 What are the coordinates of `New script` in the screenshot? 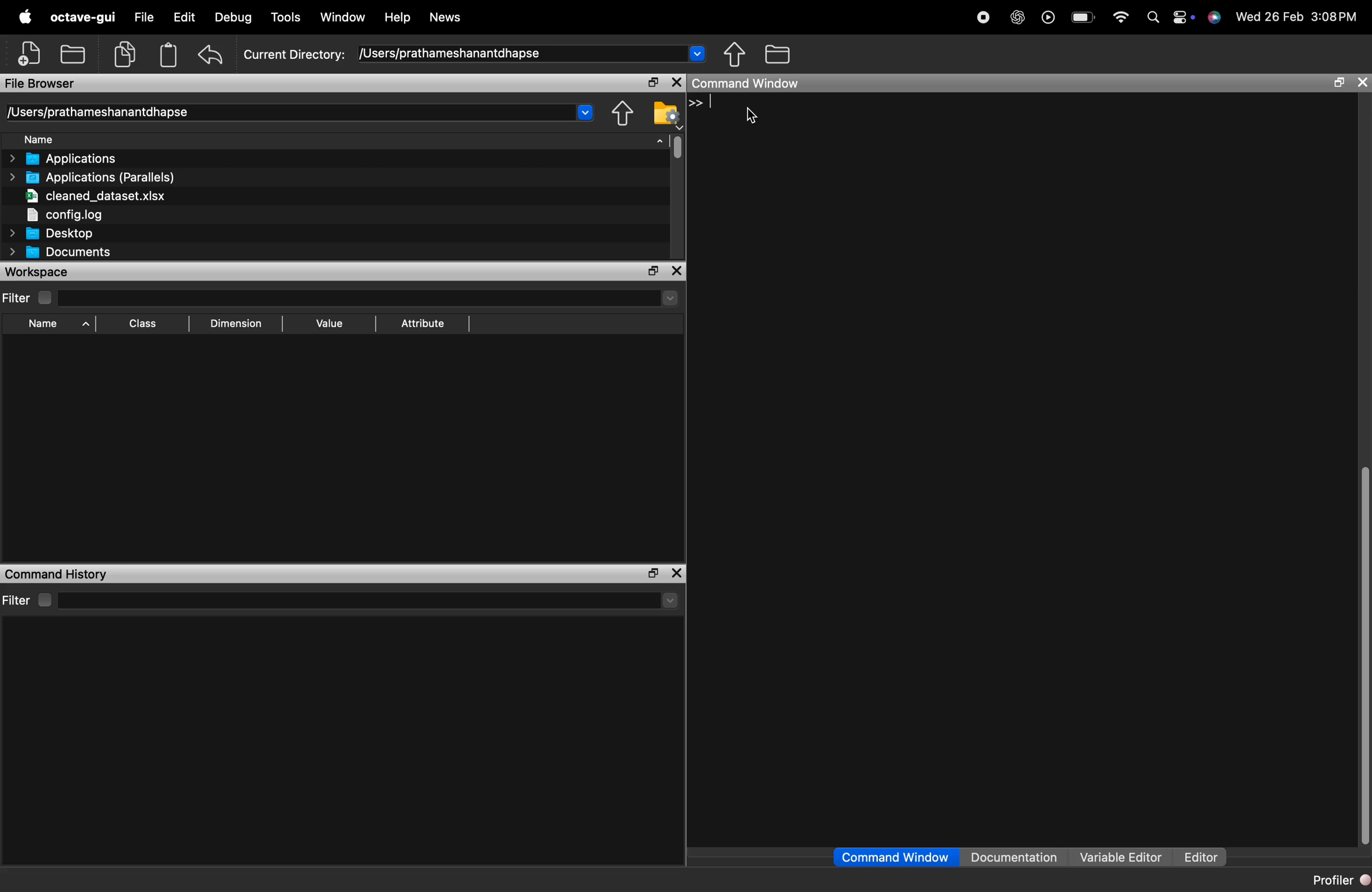 It's located at (27, 54).